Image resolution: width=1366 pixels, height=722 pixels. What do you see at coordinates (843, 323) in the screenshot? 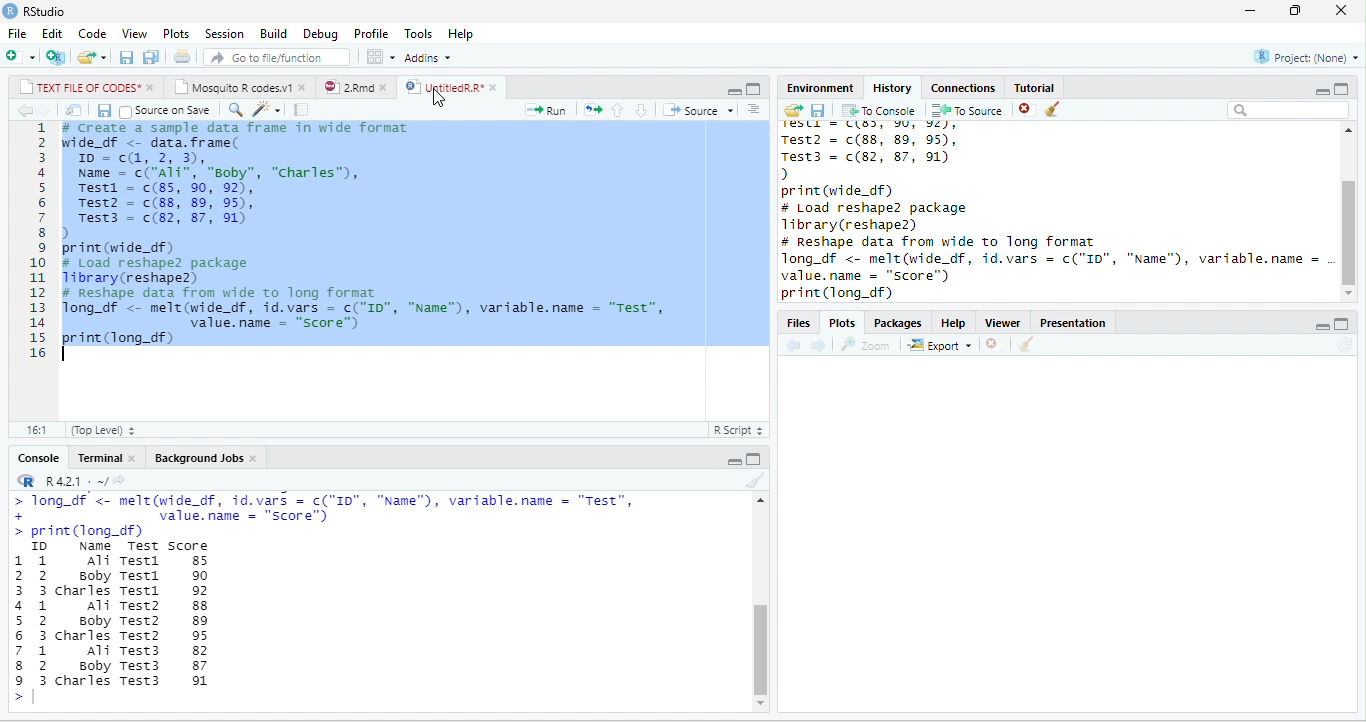
I see `Plots` at bounding box center [843, 323].